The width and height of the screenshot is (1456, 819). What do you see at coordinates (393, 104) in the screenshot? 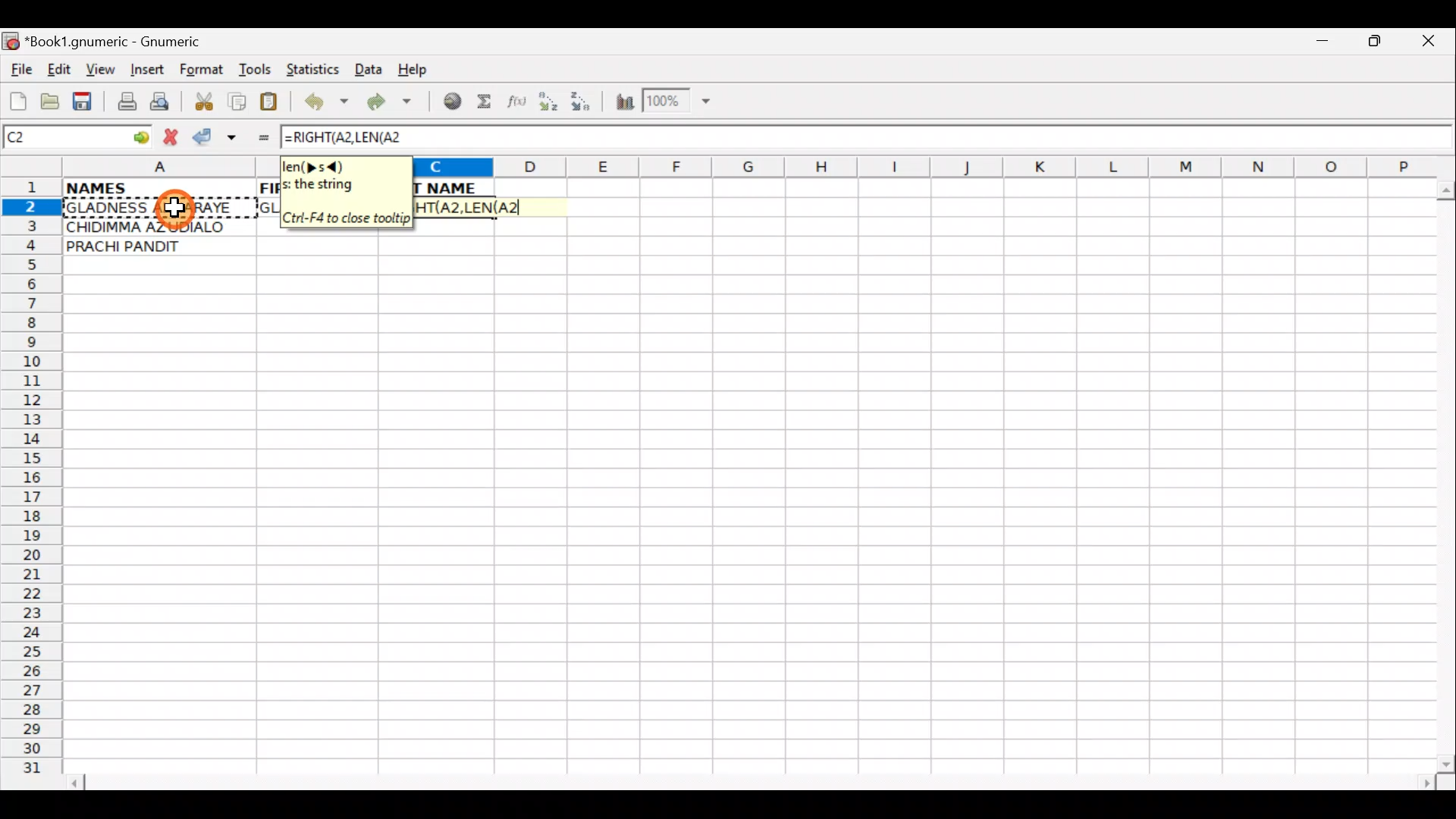
I see `Redo undone action` at bounding box center [393, 104].